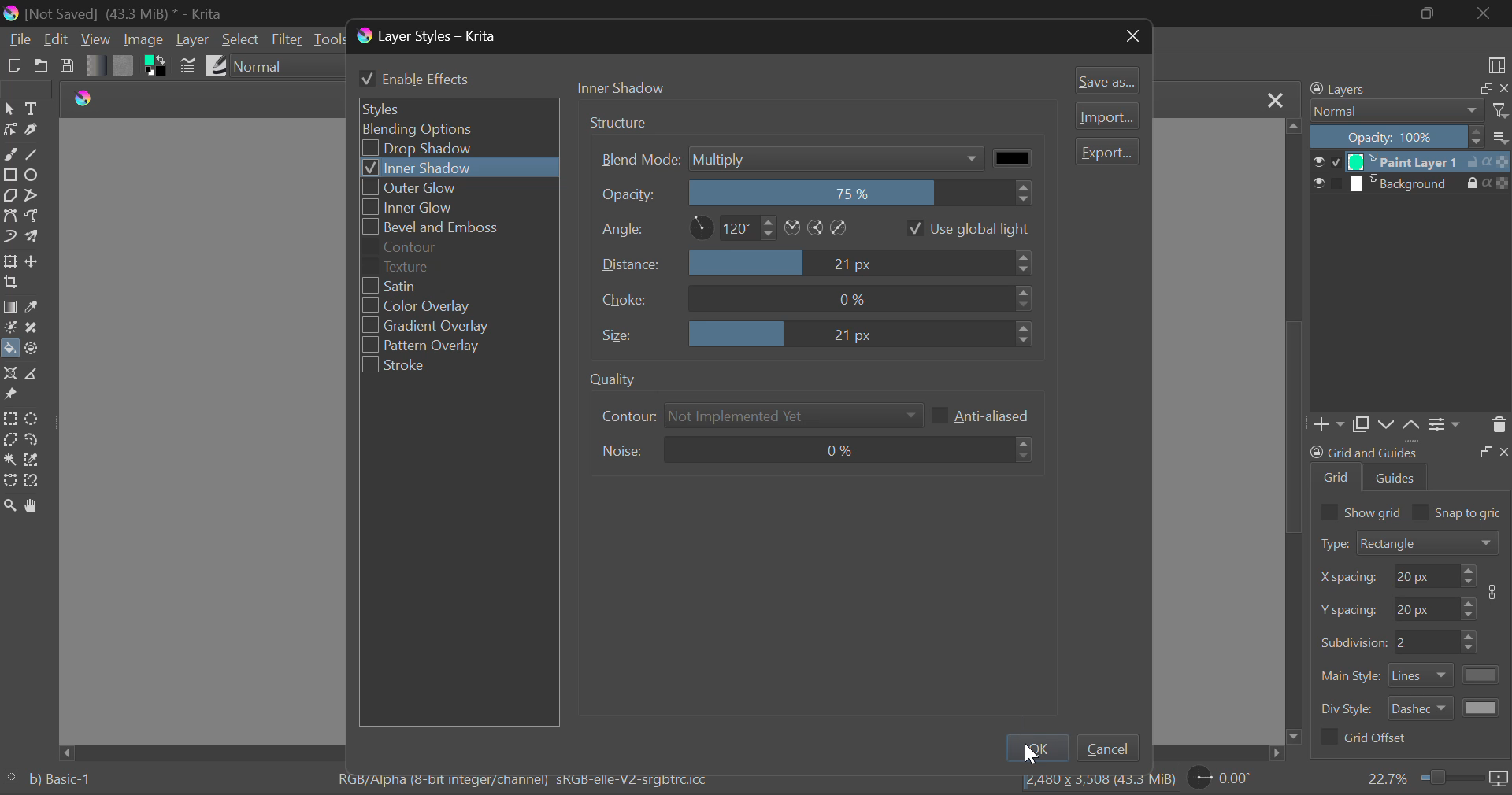 This screenshot has height=795, width=1512. Describe the element at coordinates (68, 779) in the screenshot. I see `b) Basic-1` at that location.